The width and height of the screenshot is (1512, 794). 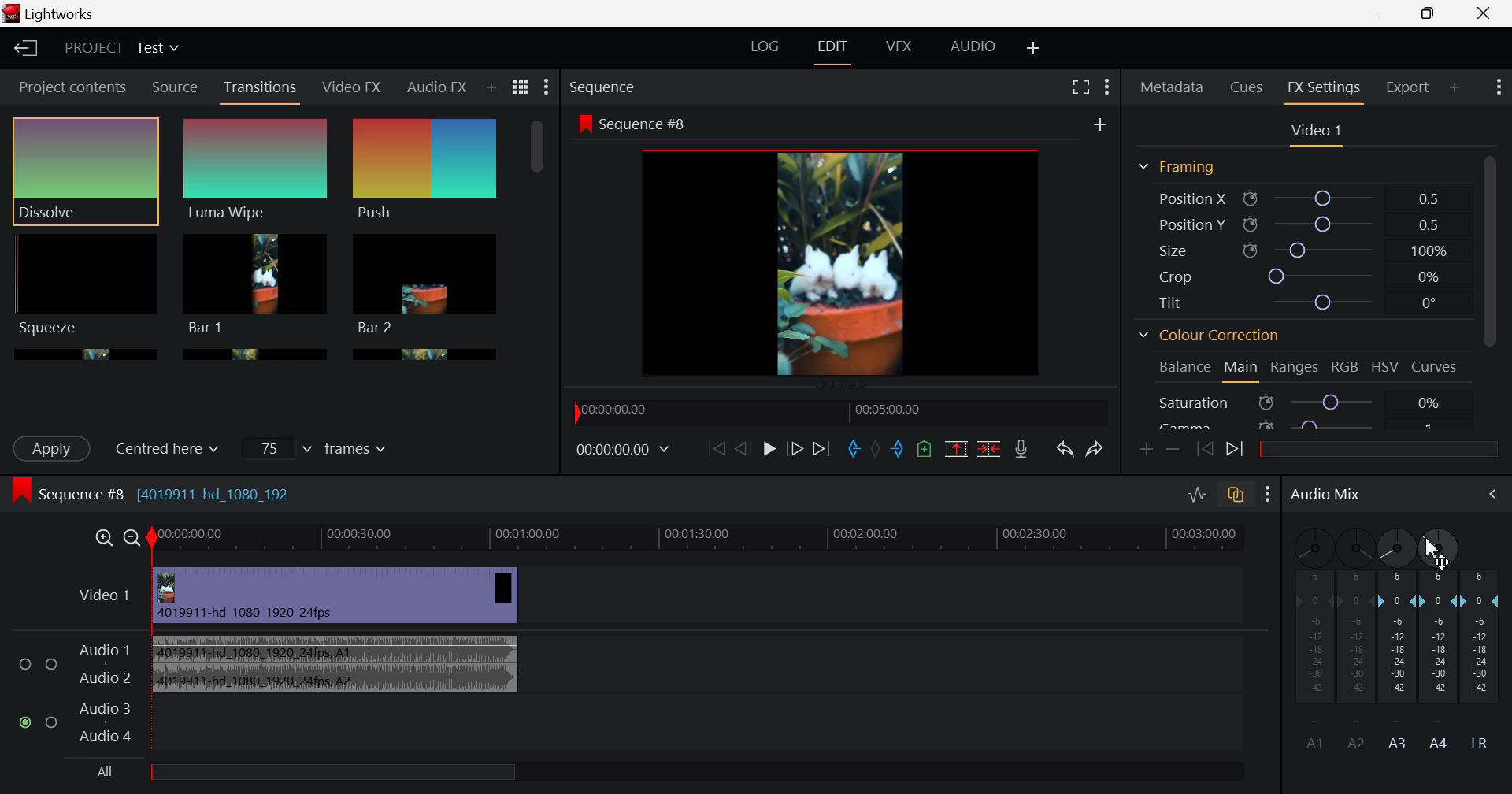 What do you see at coordinates (1455, 87) in the screenshot?
I see `Add Panel` at bounding box center [1455, 87].